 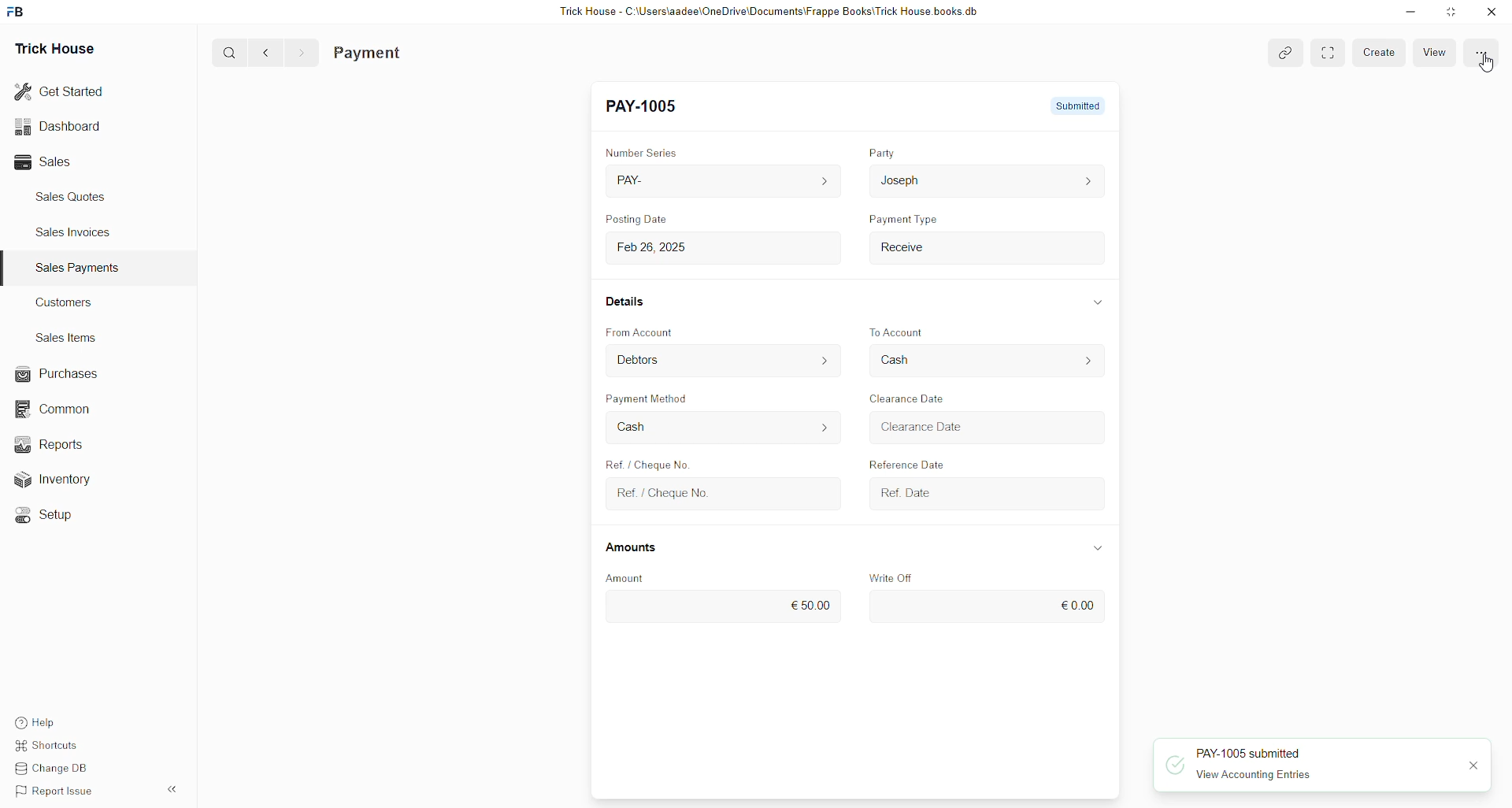 I want to click on Clearance Date, so click(x=904, y=398).